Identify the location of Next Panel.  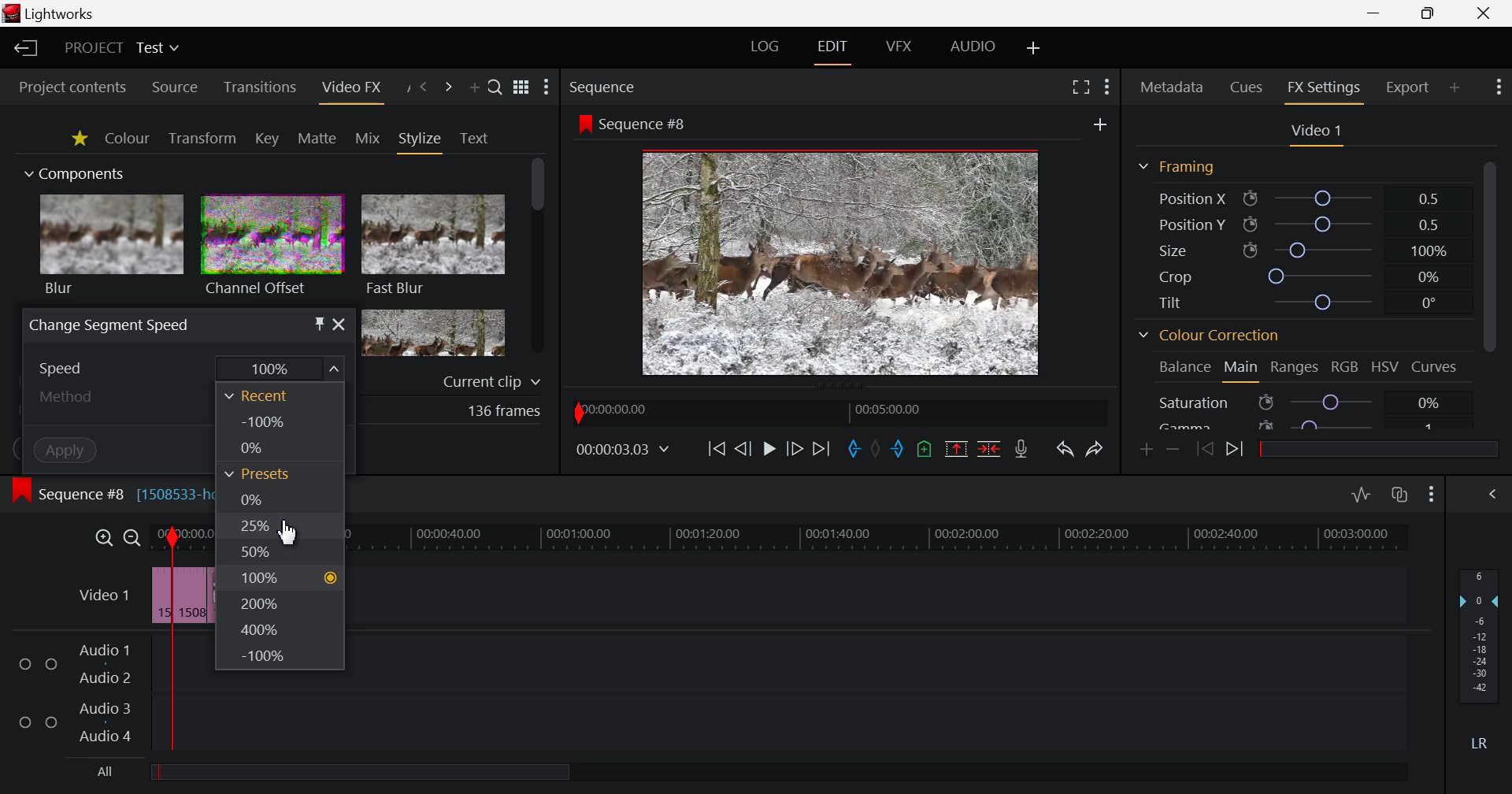
(446, 87).